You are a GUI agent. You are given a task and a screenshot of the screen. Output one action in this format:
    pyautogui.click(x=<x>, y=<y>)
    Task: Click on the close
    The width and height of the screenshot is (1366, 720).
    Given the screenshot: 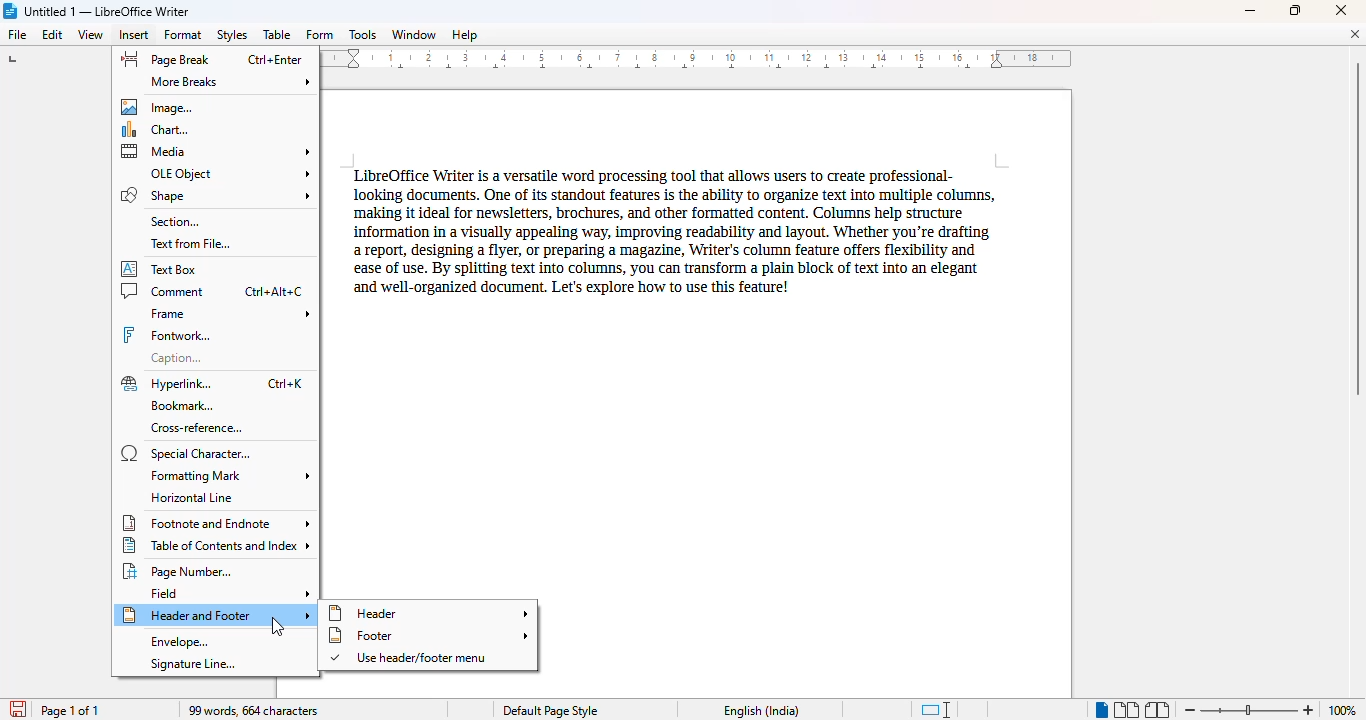 What is the action you would take?
    pyautogui.click(x=1343, y=10)
    